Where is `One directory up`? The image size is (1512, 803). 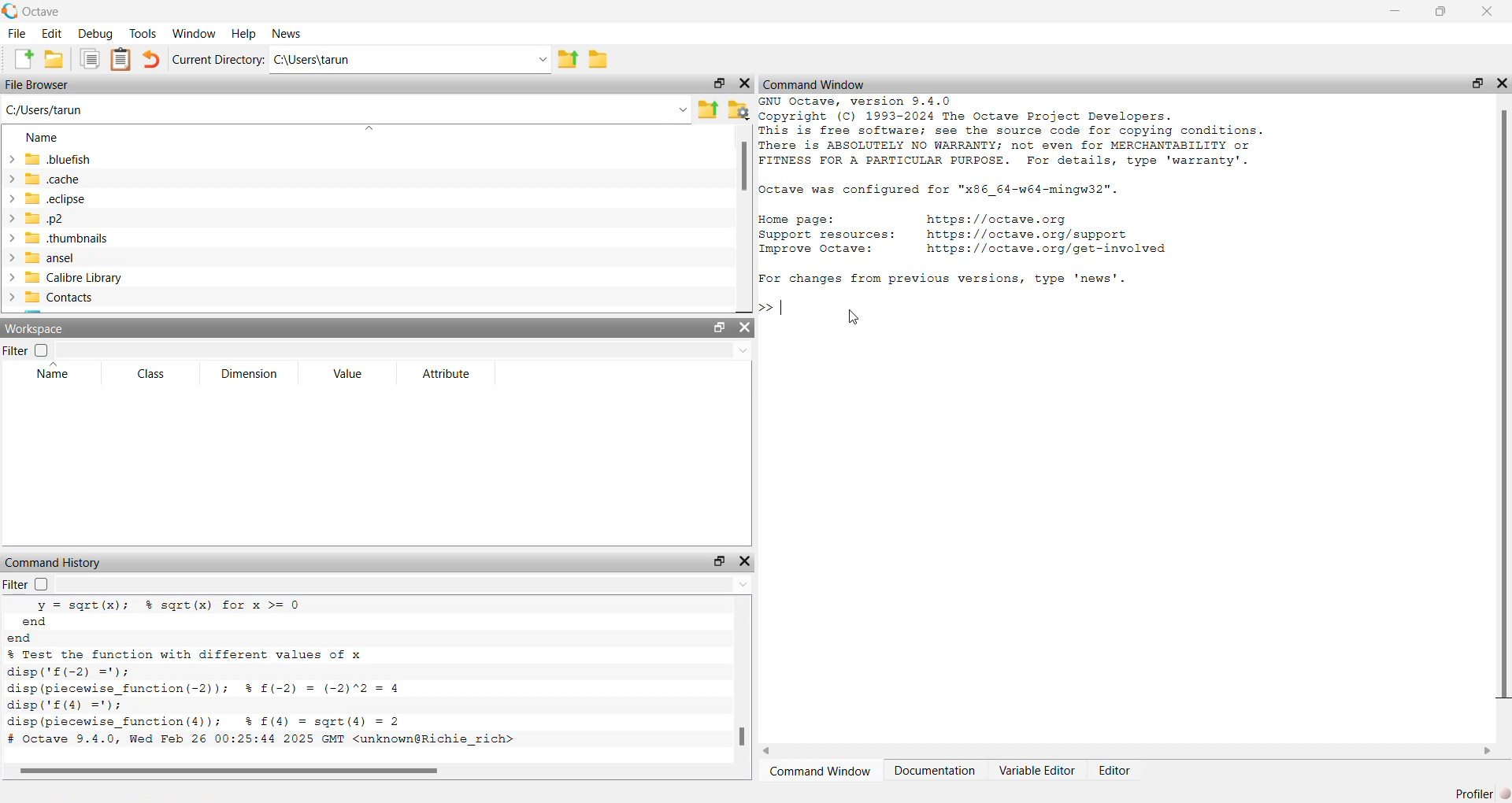 One directory up is located at coordinates (707, 109).